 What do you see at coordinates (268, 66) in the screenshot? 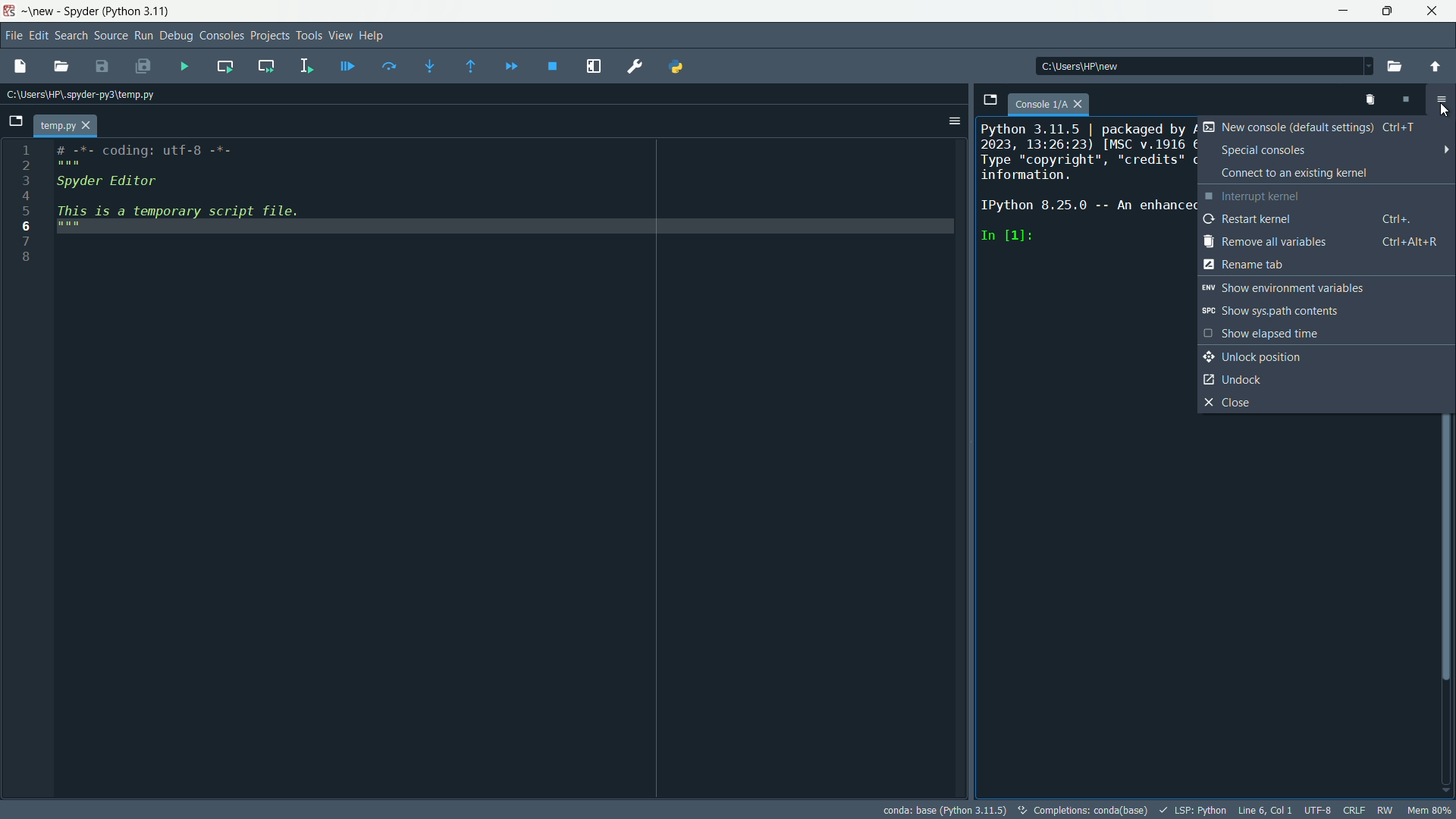
I see `run current cell and go to the next one` at bounding box center [268, 66].